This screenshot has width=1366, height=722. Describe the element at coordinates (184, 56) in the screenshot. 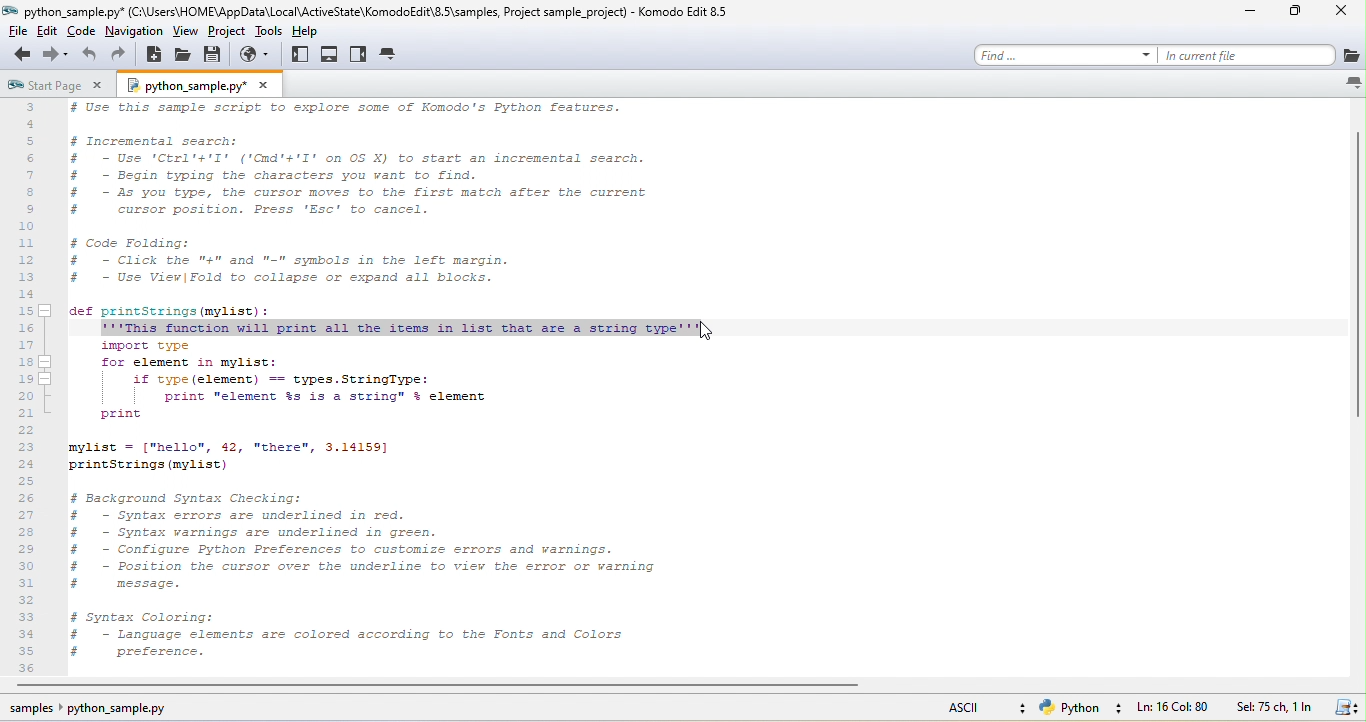

I see `open` at that location.